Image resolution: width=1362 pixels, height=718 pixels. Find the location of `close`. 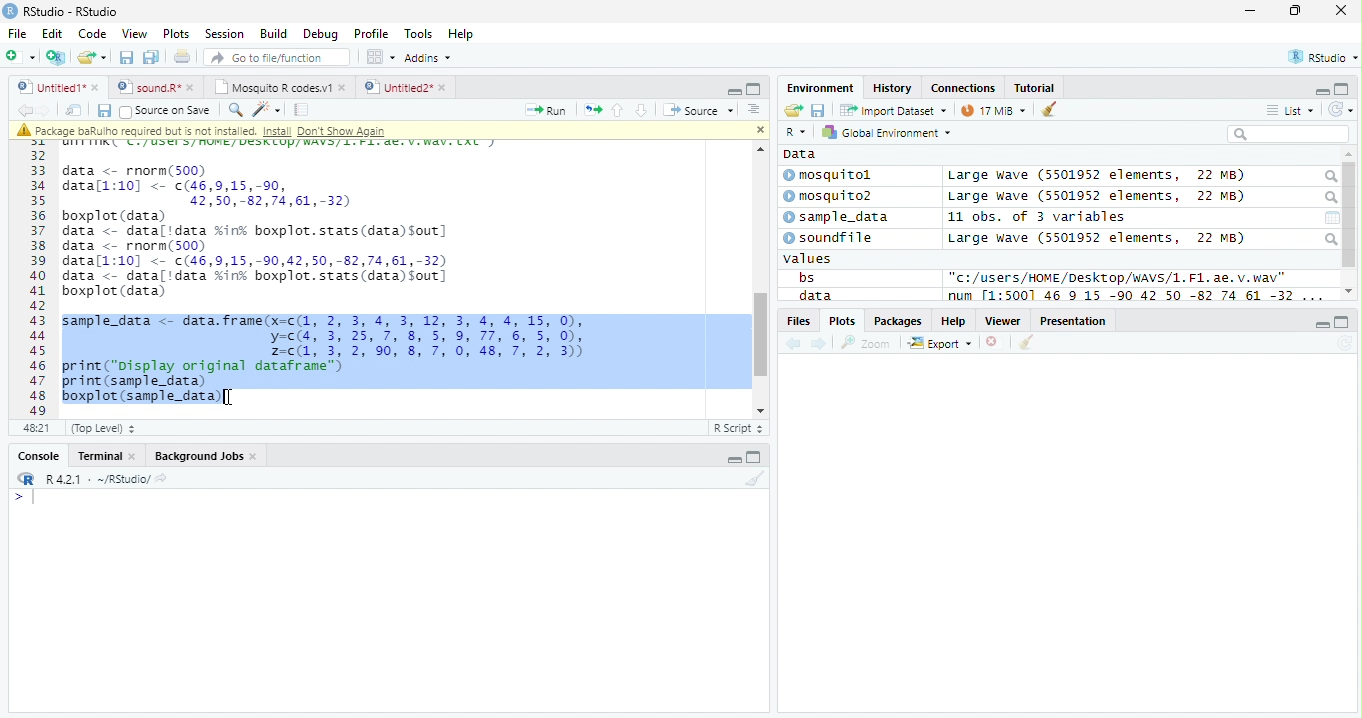

close is located at coordinates (759, 130).